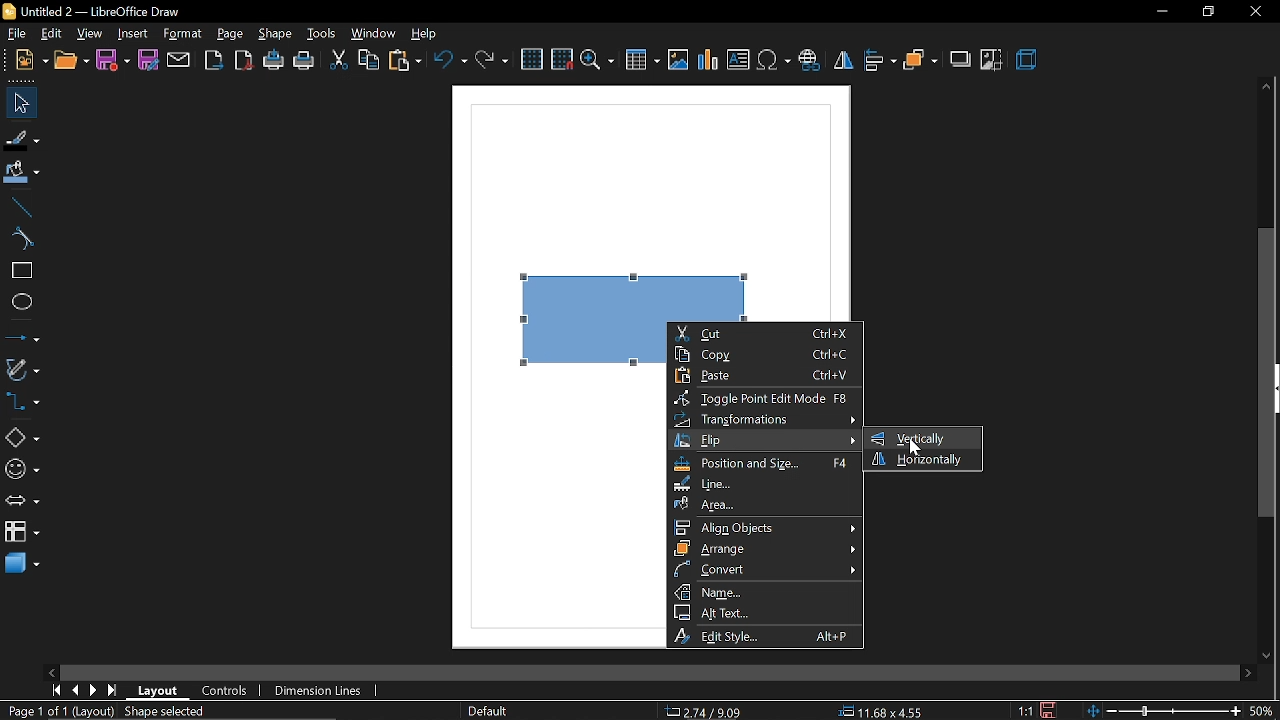  What do you see at coordinates (245, 60) in the screenshot?
I see `export as pdf` at bounding box center [245, 60].